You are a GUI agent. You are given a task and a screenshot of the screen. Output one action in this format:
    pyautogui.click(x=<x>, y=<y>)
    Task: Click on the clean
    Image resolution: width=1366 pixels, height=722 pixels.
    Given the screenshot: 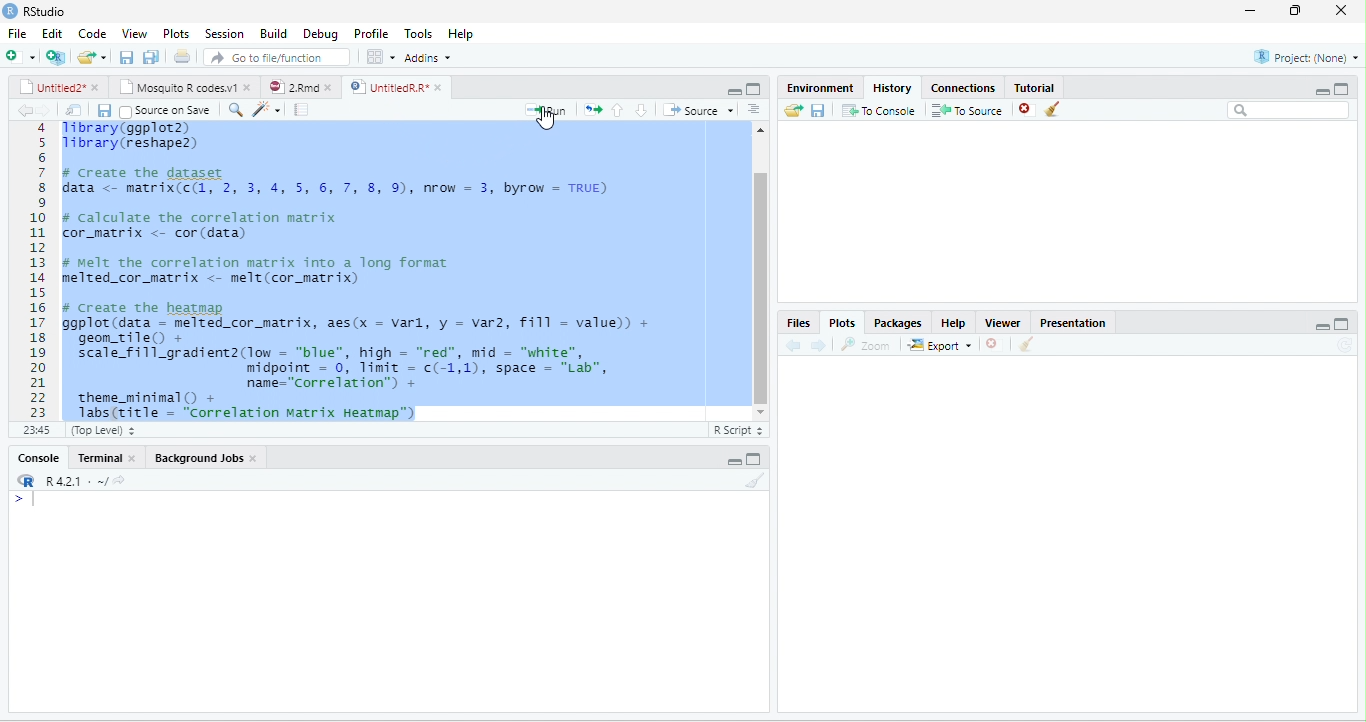 What is the action you would take?
    pyautogui.click(x=746, y=482)
    